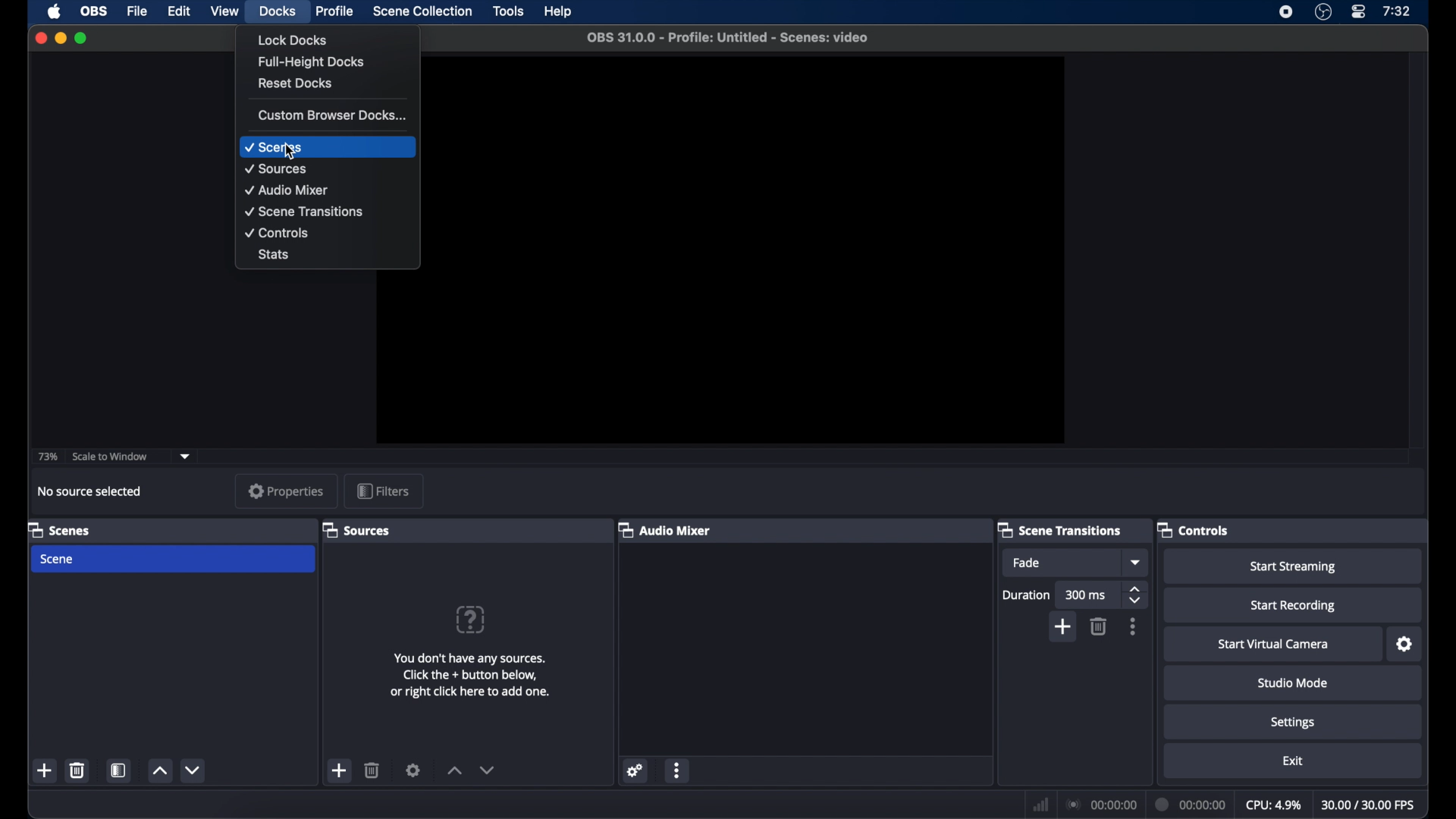 Image resolution: width=1456 pixels, height=819 pixels. I want to click on delete, so click(1100, 626).